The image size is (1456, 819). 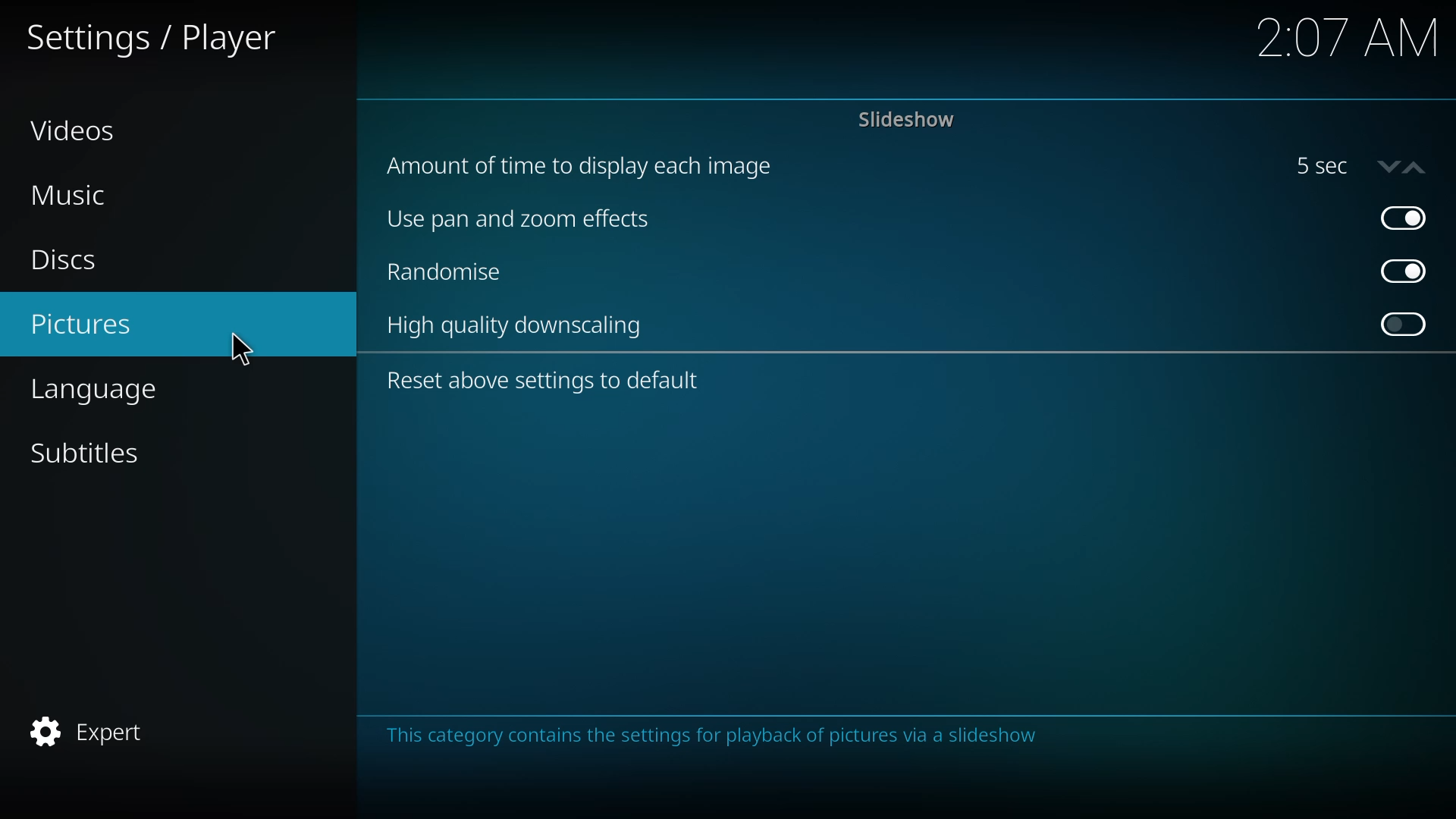 What do you see at coordinates (70, 260) in the screenshot?
I see `discs` at bounding box center [70, 260].